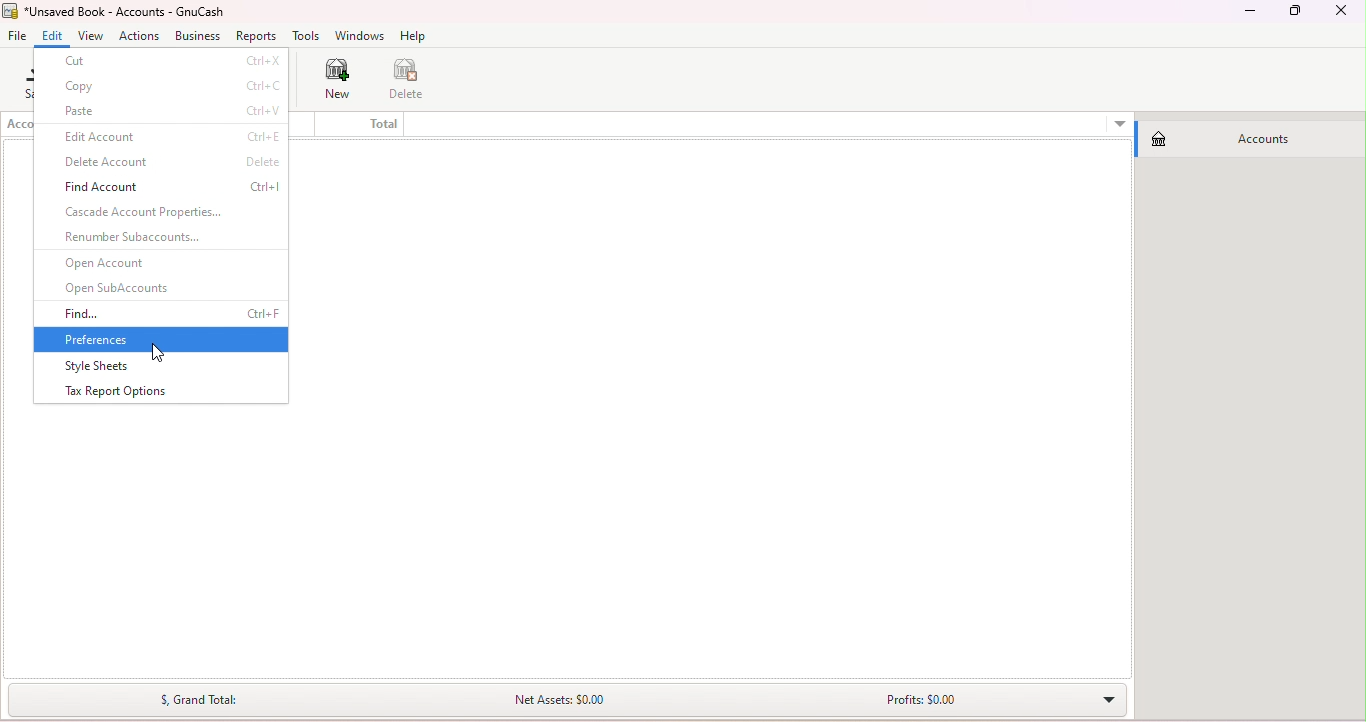 The image size is (1366, 722). What do you see at coordinates (167, 135) in the screenshot?
I see `Edit account` at bounding box center [167, 135].